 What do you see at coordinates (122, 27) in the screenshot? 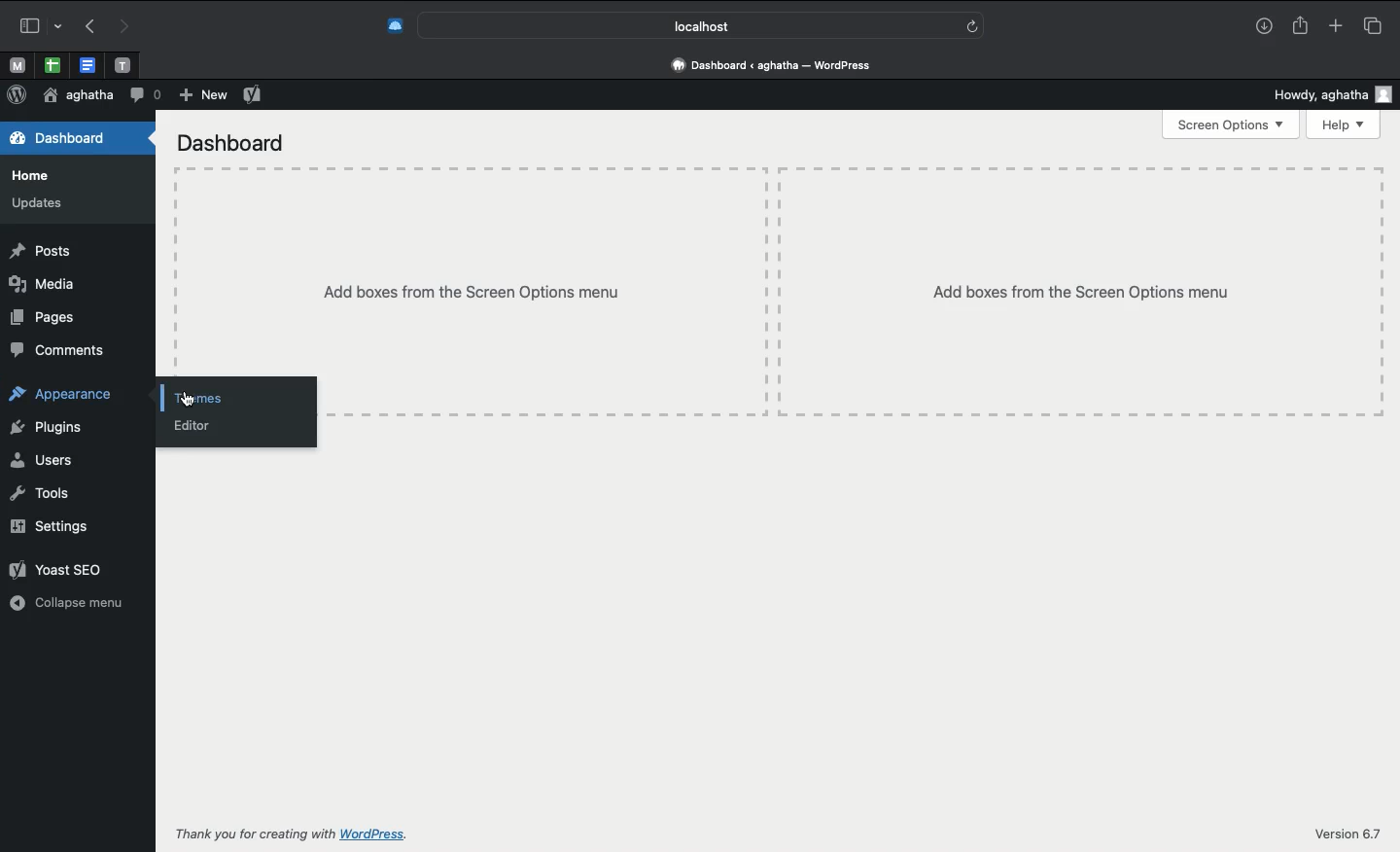
I see `Redo` at bounding box center [122, 27].